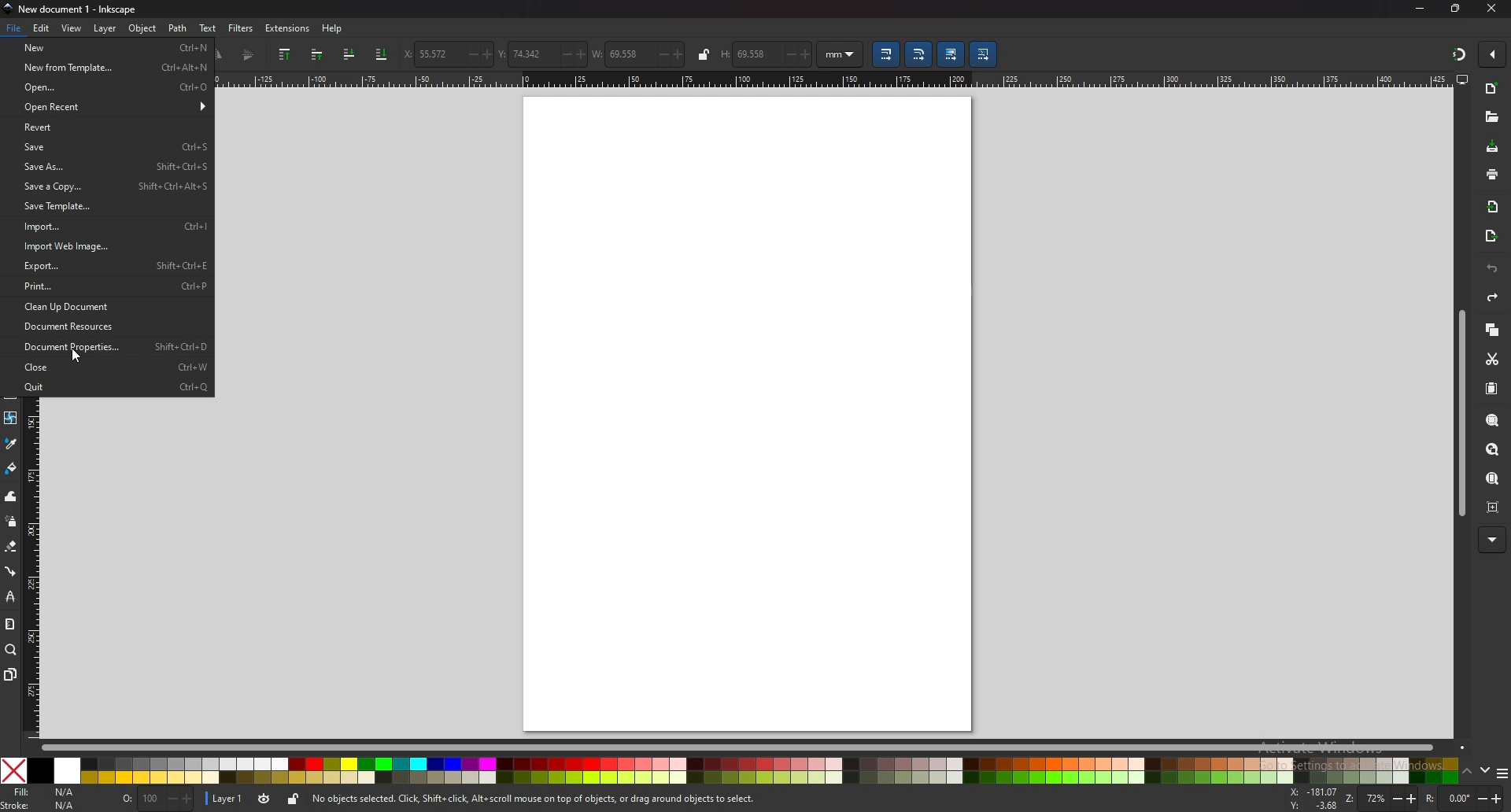 Image resolution: width=1511 pixels, height=812 pixels. I want to click on cursor coordinates x-axis, so click(1313, 793).